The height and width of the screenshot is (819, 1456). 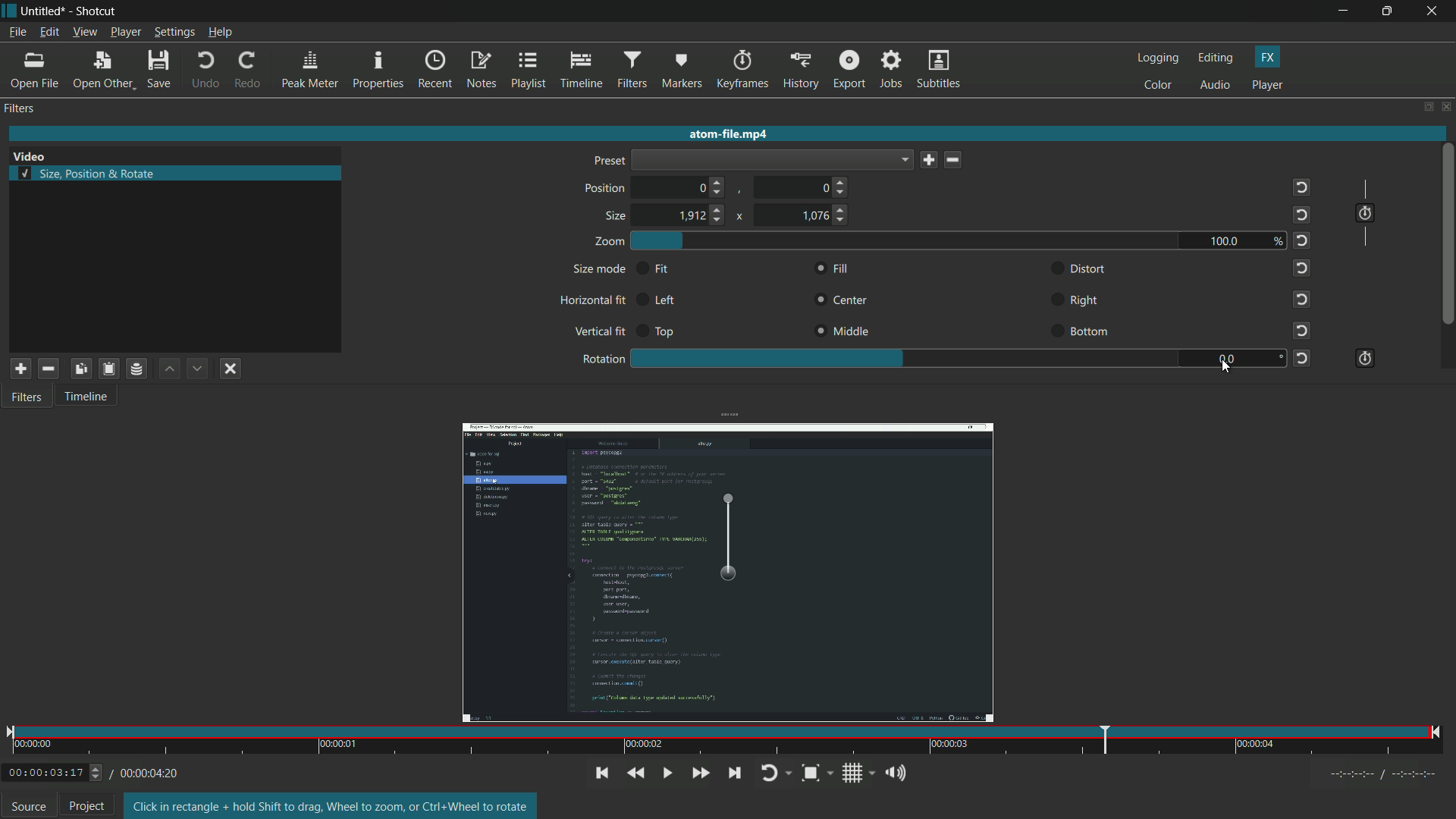 What do you see at coordinates (20, 108) in the screenshot?
I see `filters` at bounding box center [20, 108].